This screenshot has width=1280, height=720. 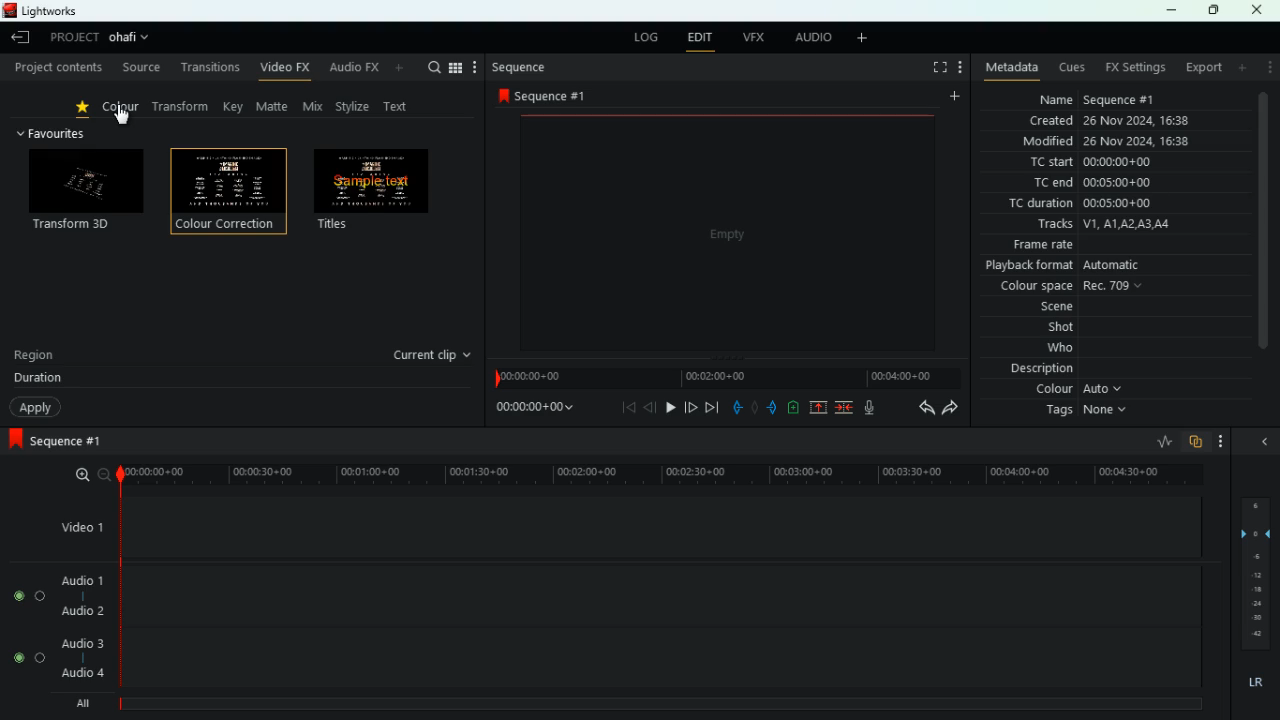 What do you see at coordinates (1262, 10) in the screenshot?
I see `close` at bounding box center [1262, 10].